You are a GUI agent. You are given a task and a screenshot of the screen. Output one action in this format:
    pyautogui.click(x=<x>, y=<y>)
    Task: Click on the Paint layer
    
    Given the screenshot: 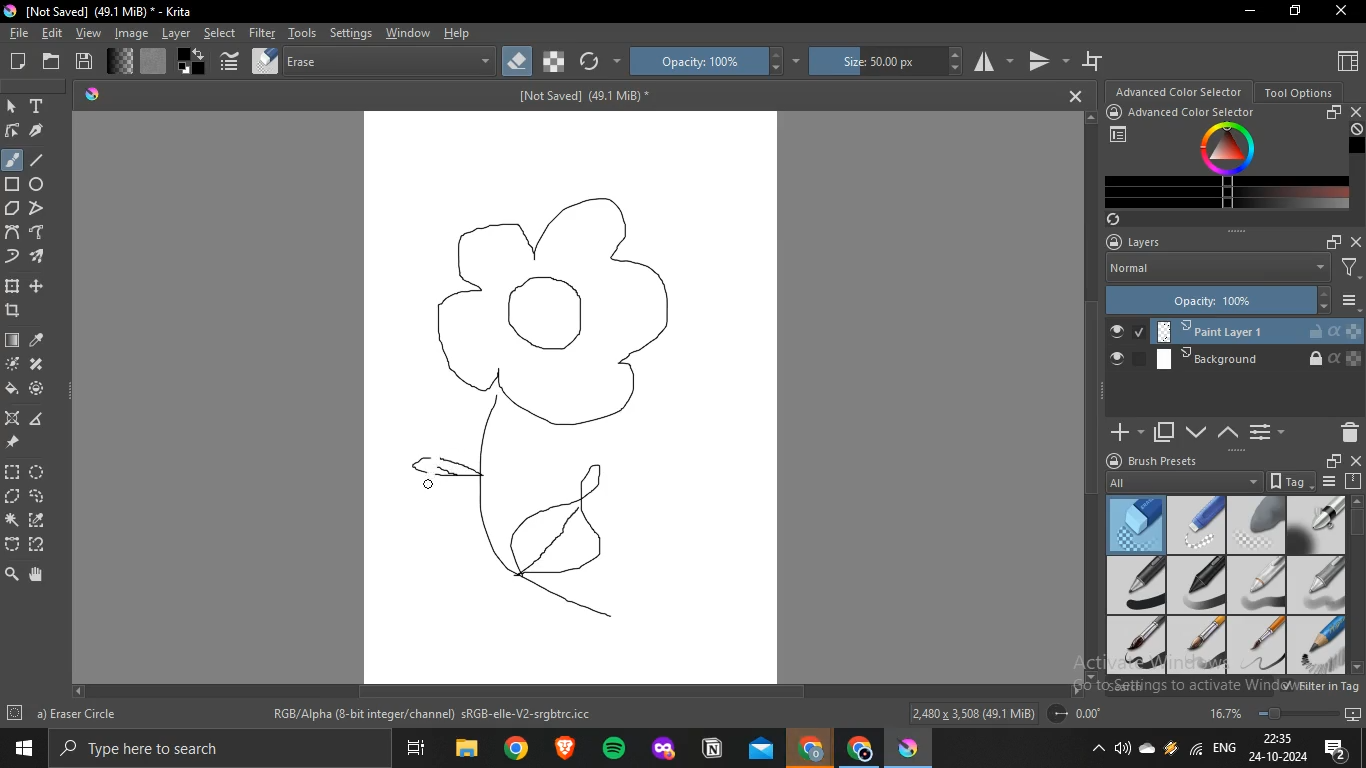 What is the action you would take?
    pyautogui.click(x=1235, y=328)
    